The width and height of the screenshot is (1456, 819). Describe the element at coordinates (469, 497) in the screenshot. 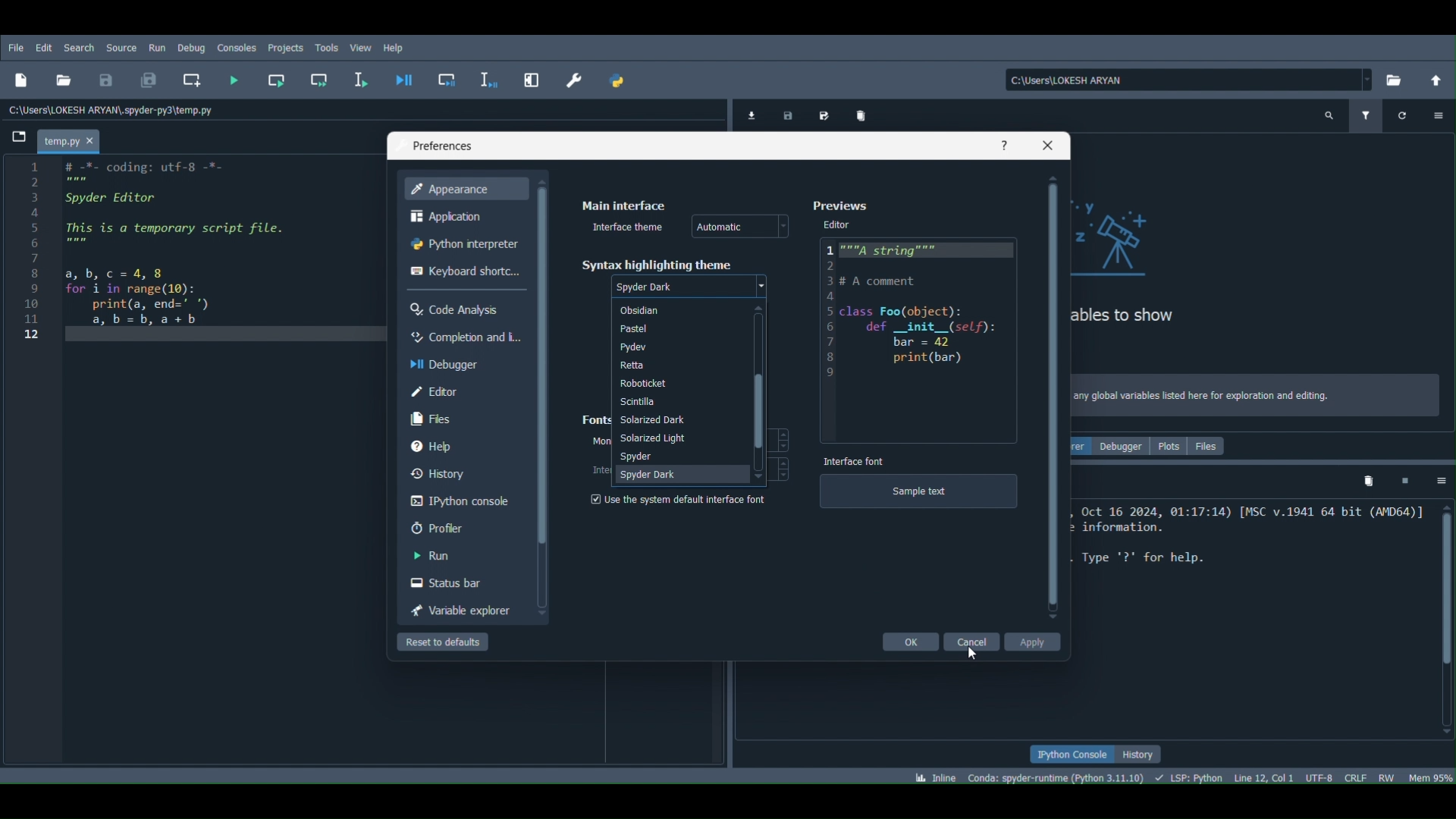

I see `IPython console` at that location.